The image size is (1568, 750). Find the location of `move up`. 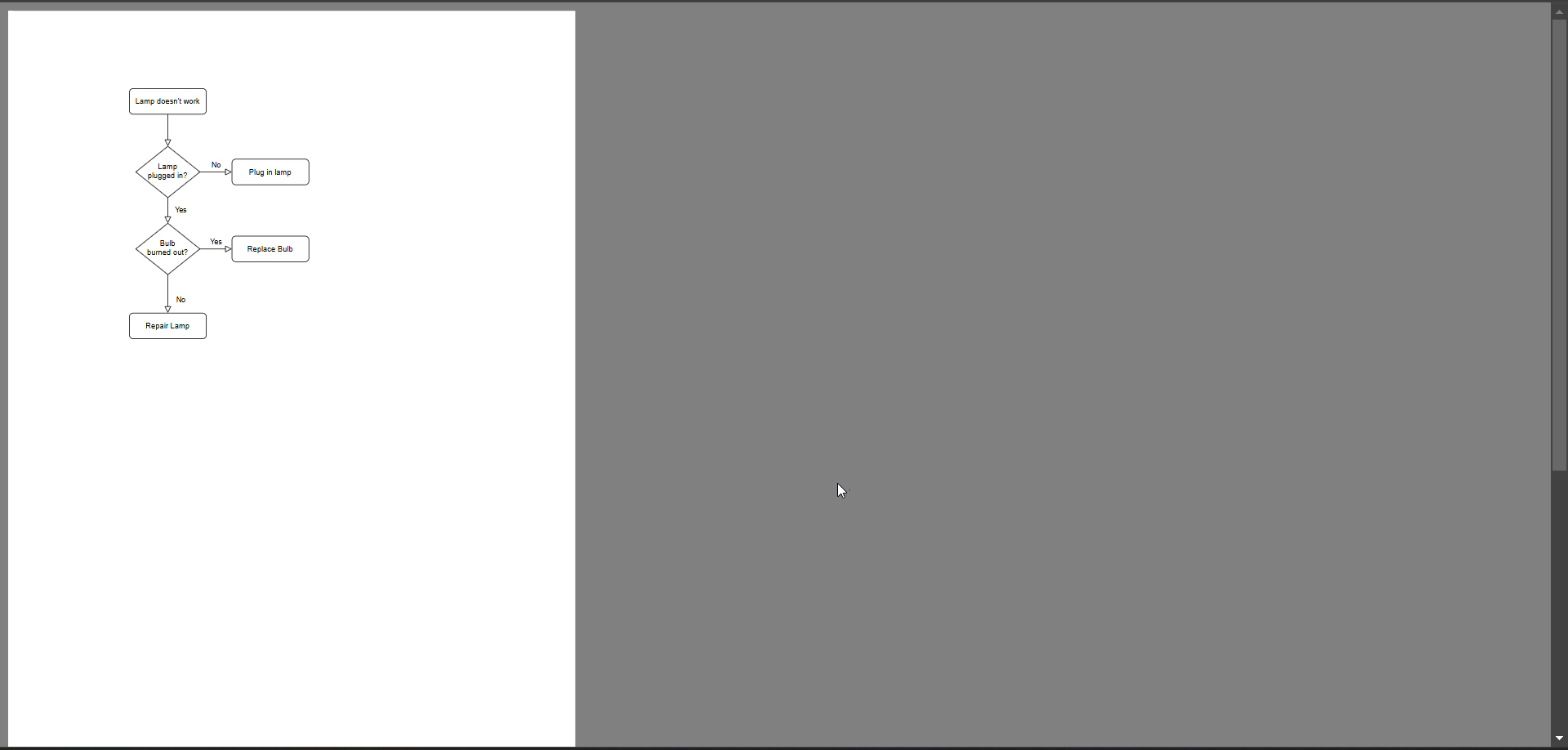

move up is located at coordinates (1558, 8).